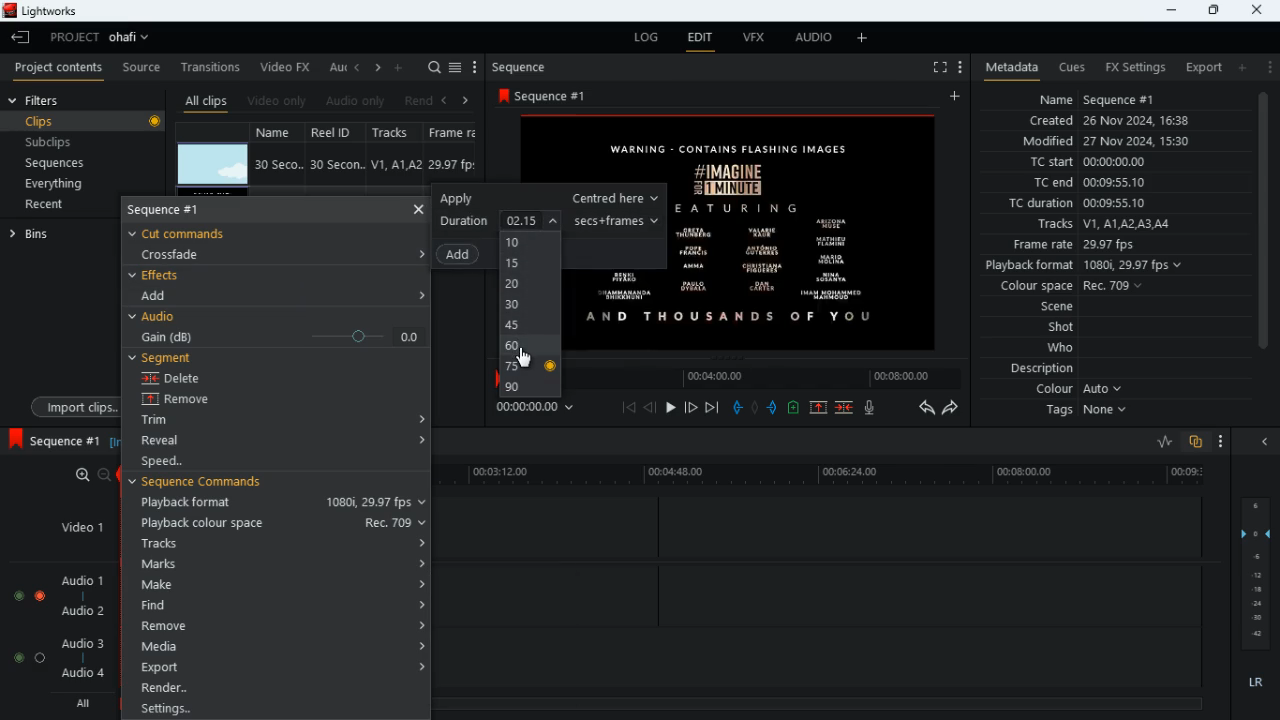 This screenshot has width=1280, height=720. I want to click on video 1, so click(74, 526).